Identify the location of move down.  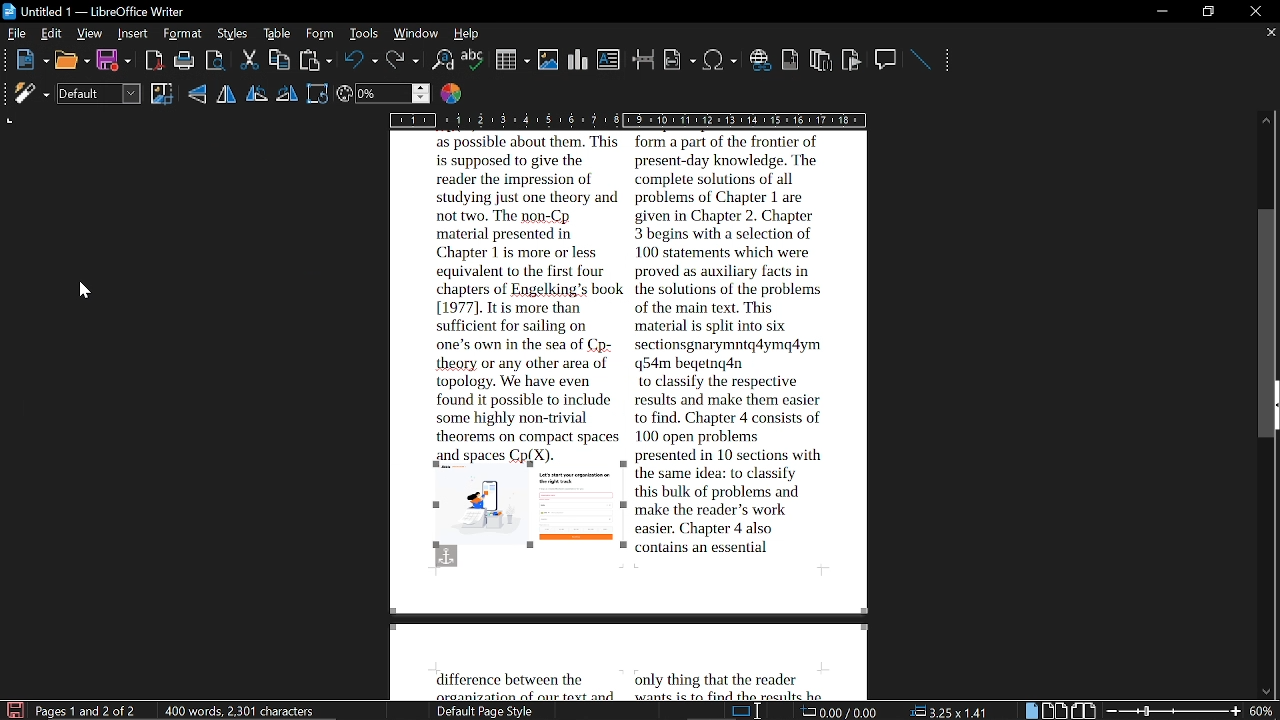
(1267, 688).